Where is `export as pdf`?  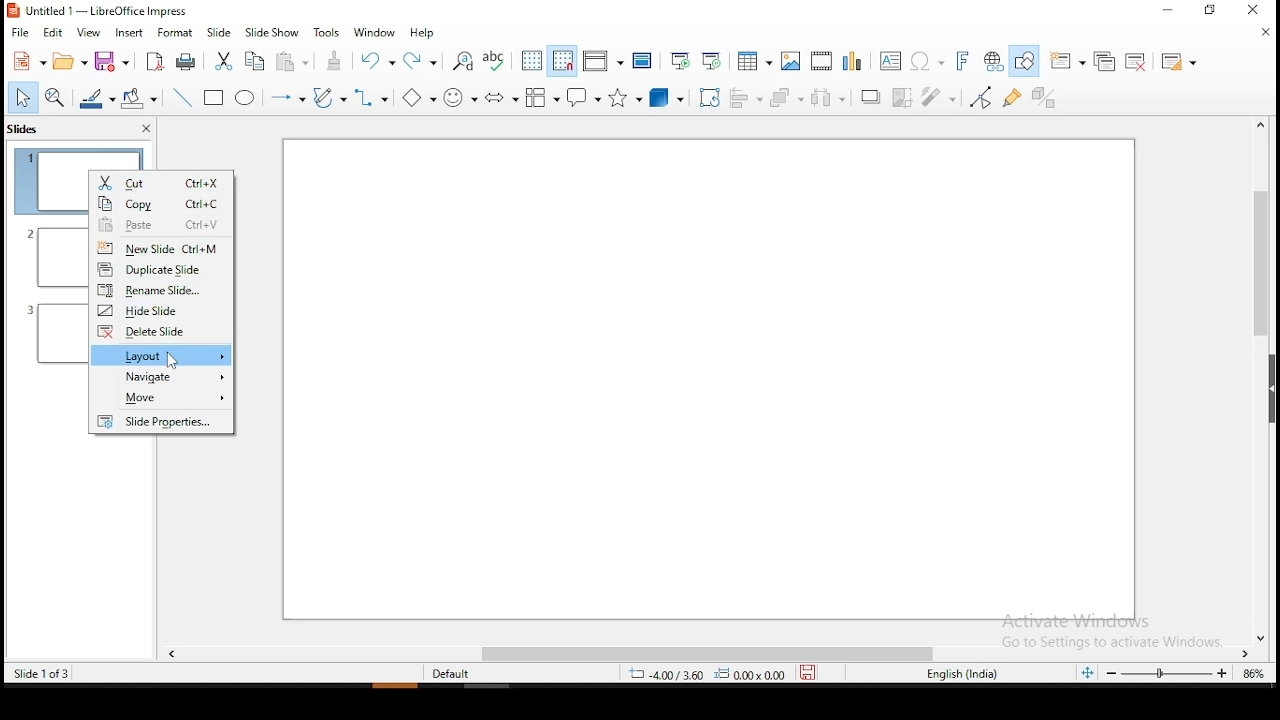
export as pdf is located at coordinates (153, 64).